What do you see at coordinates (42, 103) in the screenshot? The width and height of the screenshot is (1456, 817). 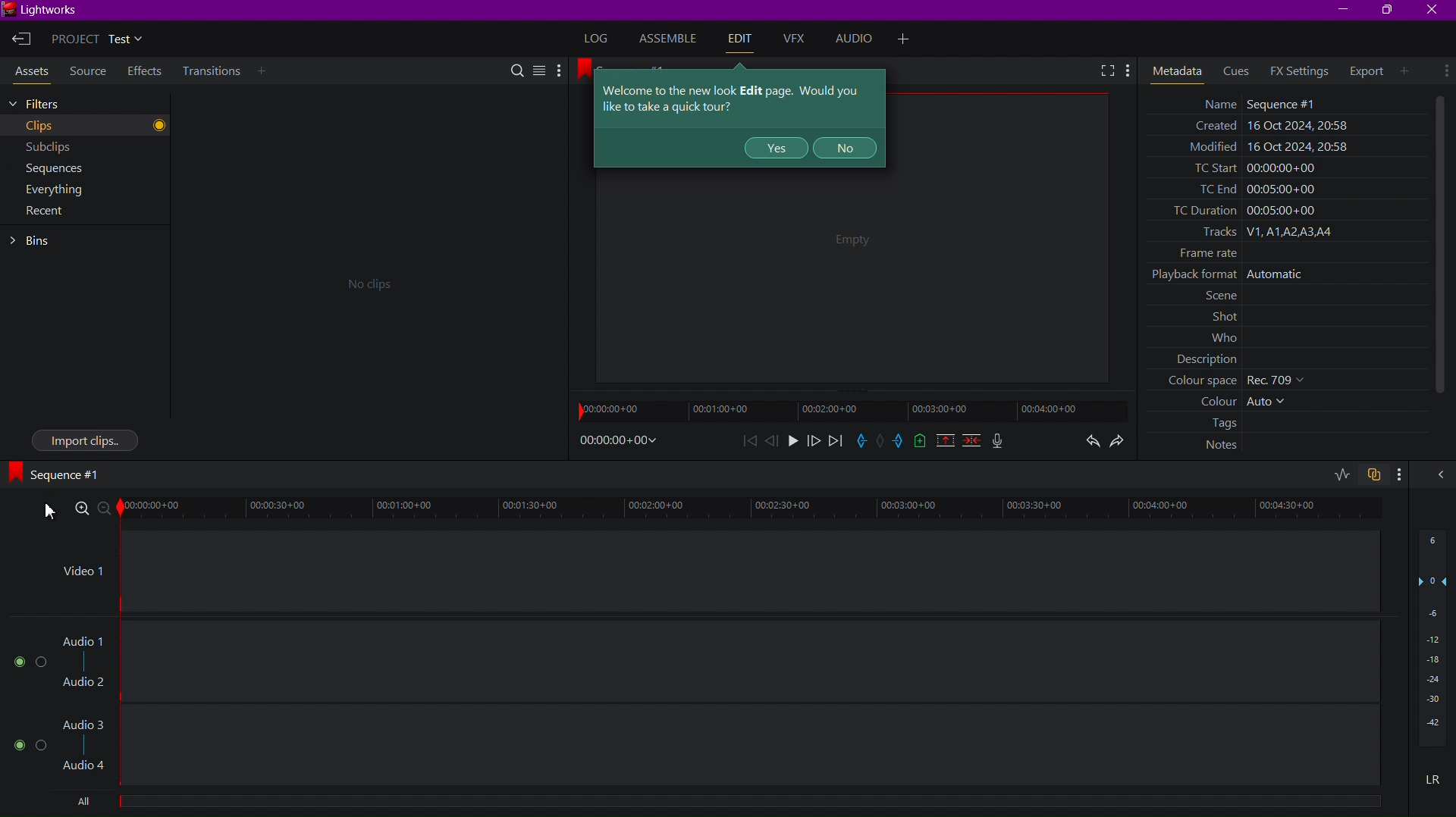 I see `Filters` at bounding box center [42, 103].